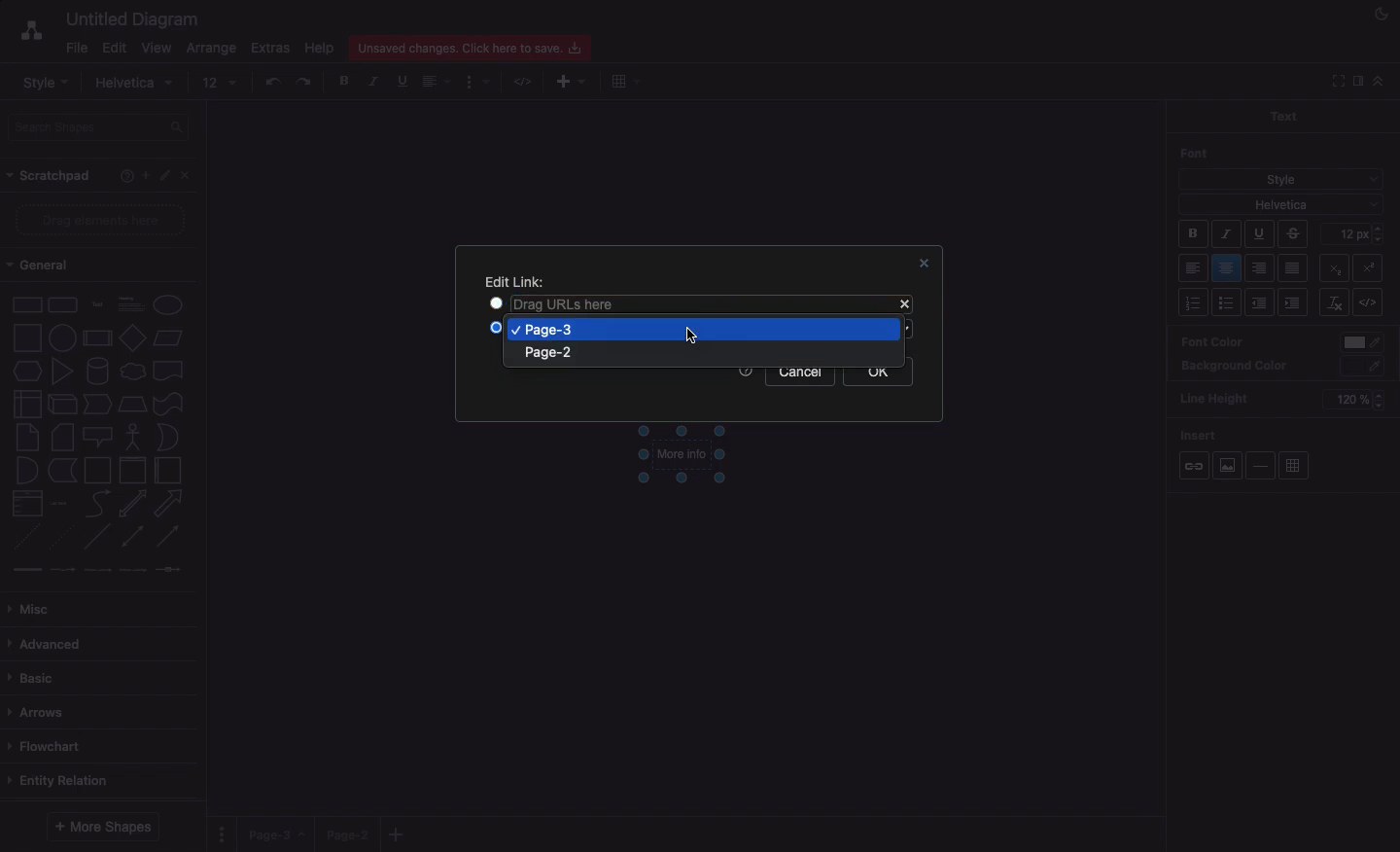 The image size is (1400, 852). I want to click on 12 pt - Size, so click(1355, 232).